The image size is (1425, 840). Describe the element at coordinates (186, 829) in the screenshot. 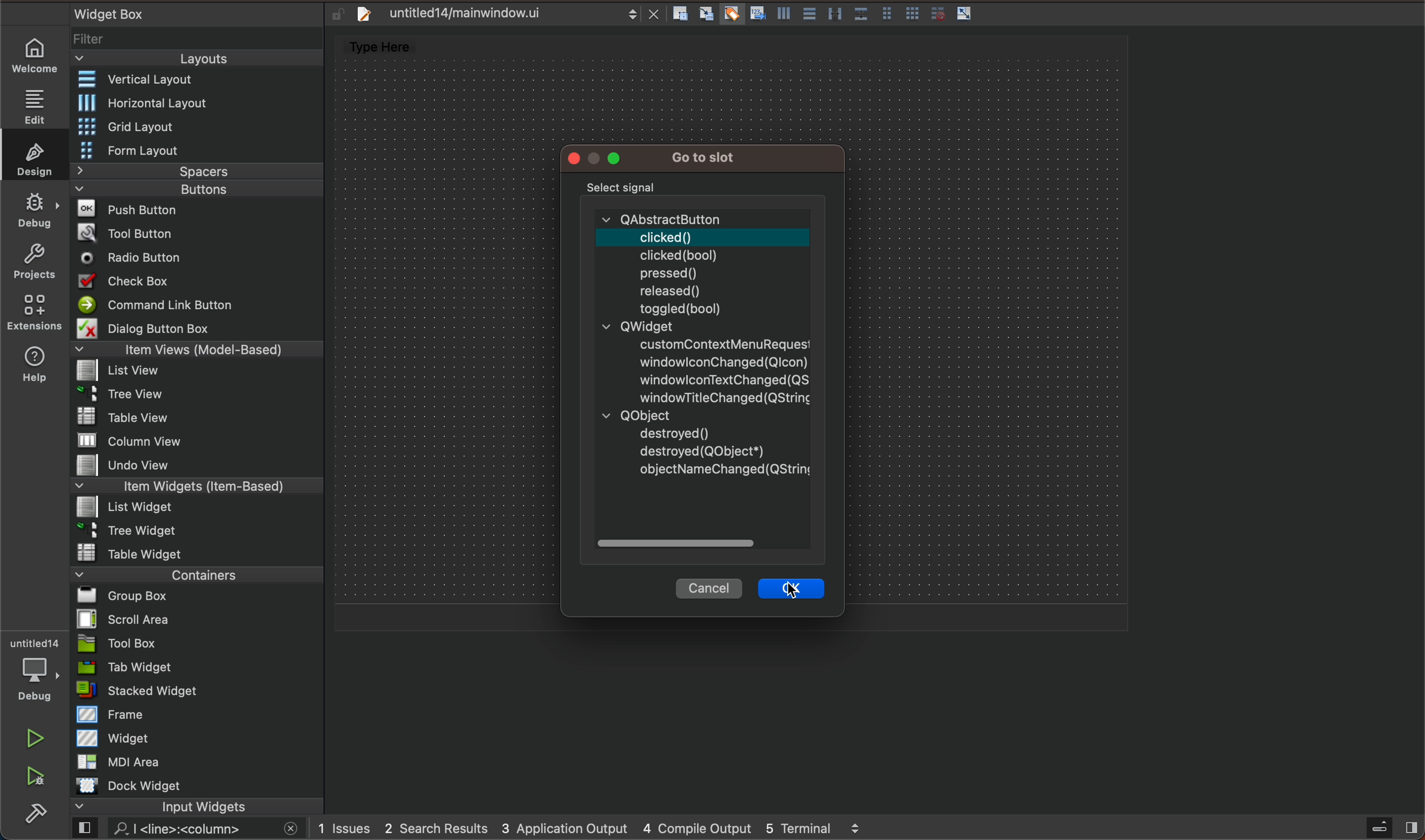

I see `search` at that location.